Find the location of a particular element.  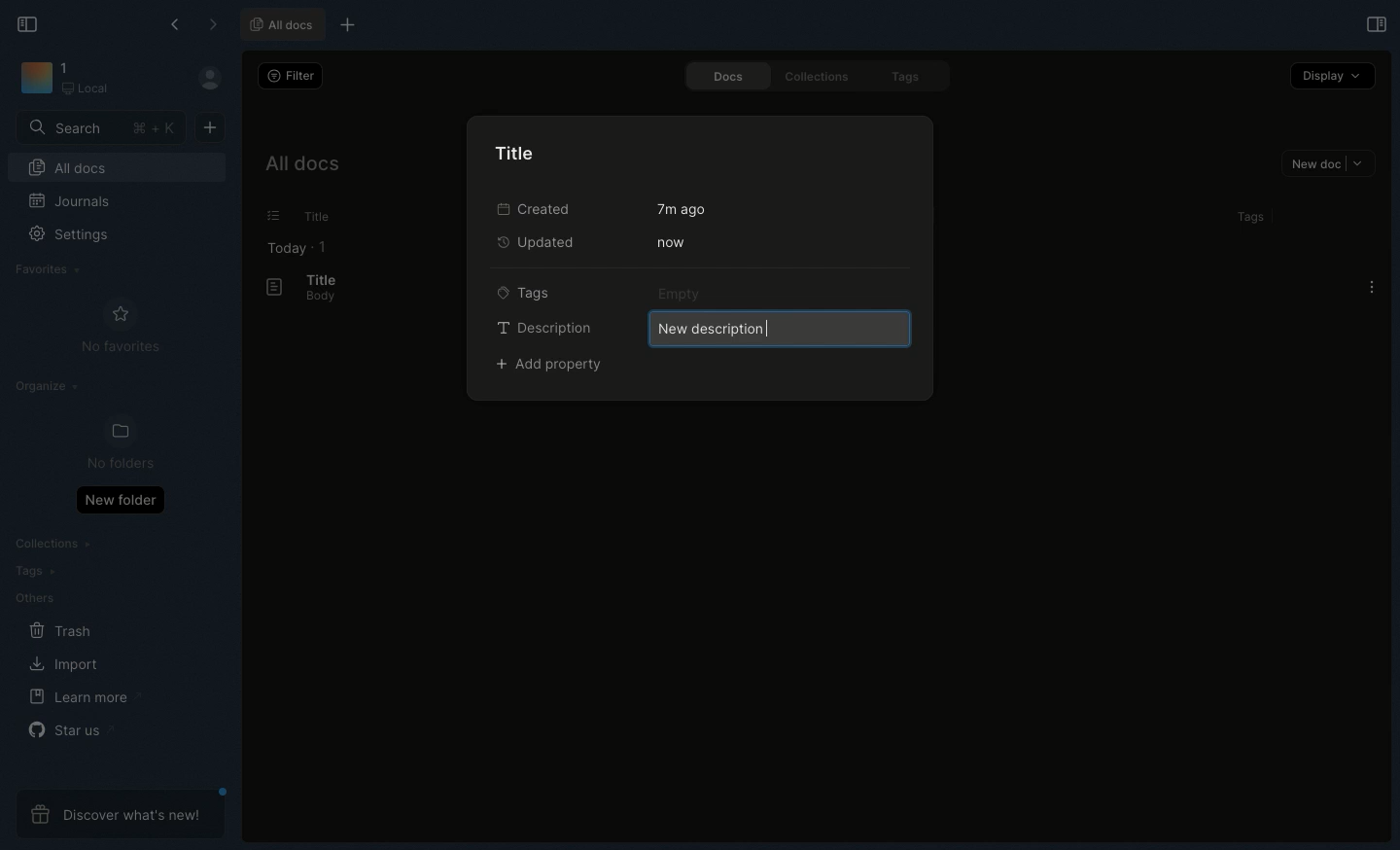

No folders is located at coordinates (113, 443).